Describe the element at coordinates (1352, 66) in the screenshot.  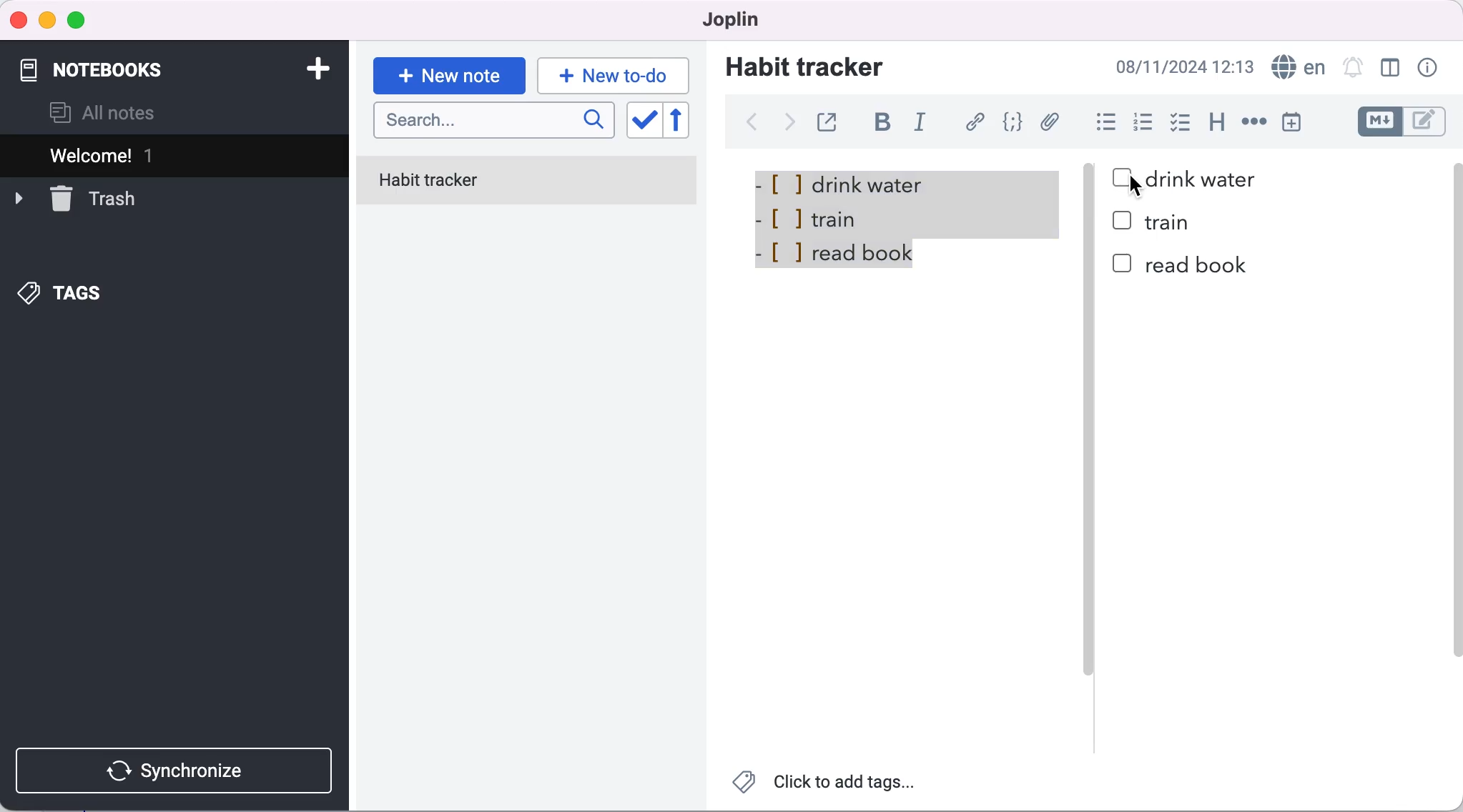
I see `set alarm` at that location.